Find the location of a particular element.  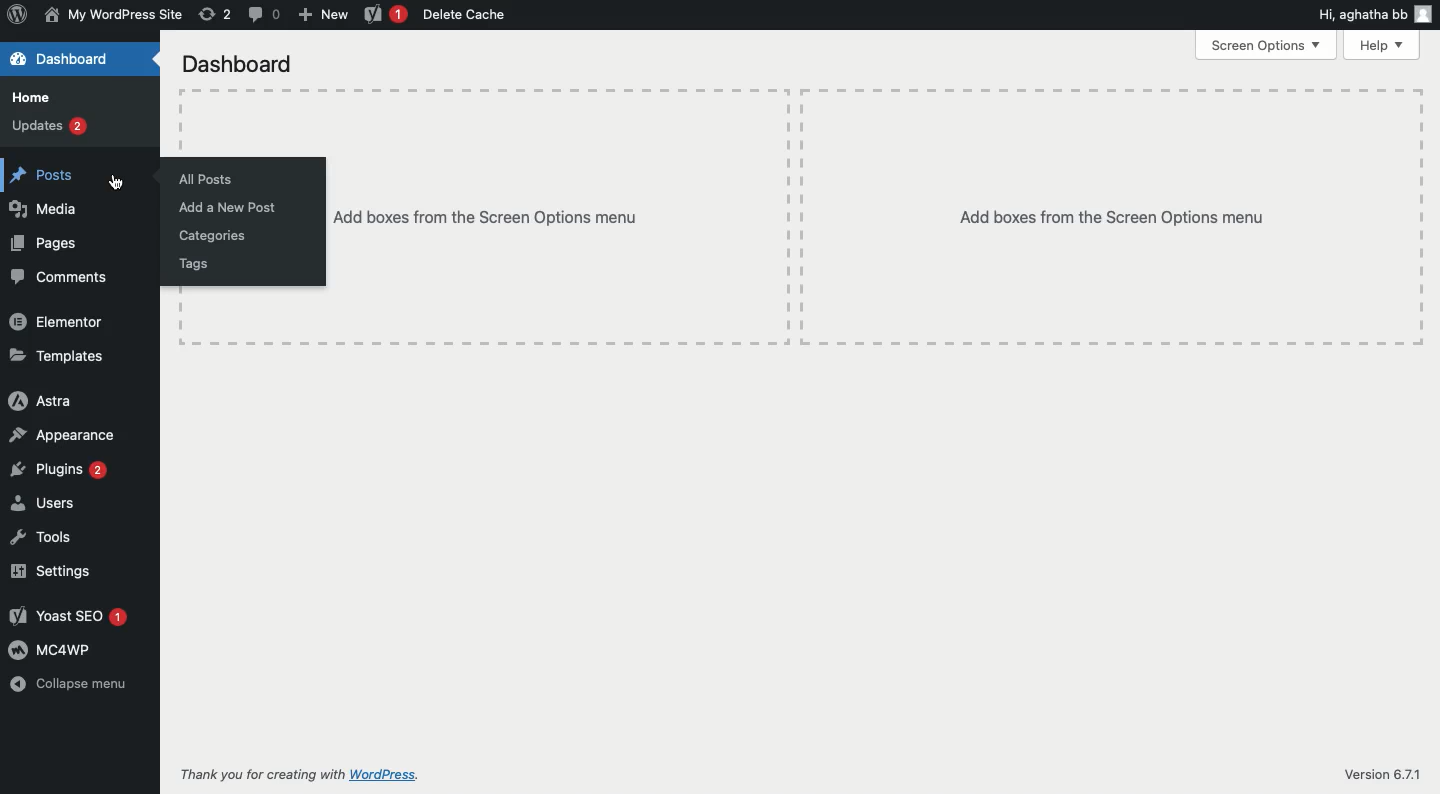

Updates is located at coordinates (55, 127).